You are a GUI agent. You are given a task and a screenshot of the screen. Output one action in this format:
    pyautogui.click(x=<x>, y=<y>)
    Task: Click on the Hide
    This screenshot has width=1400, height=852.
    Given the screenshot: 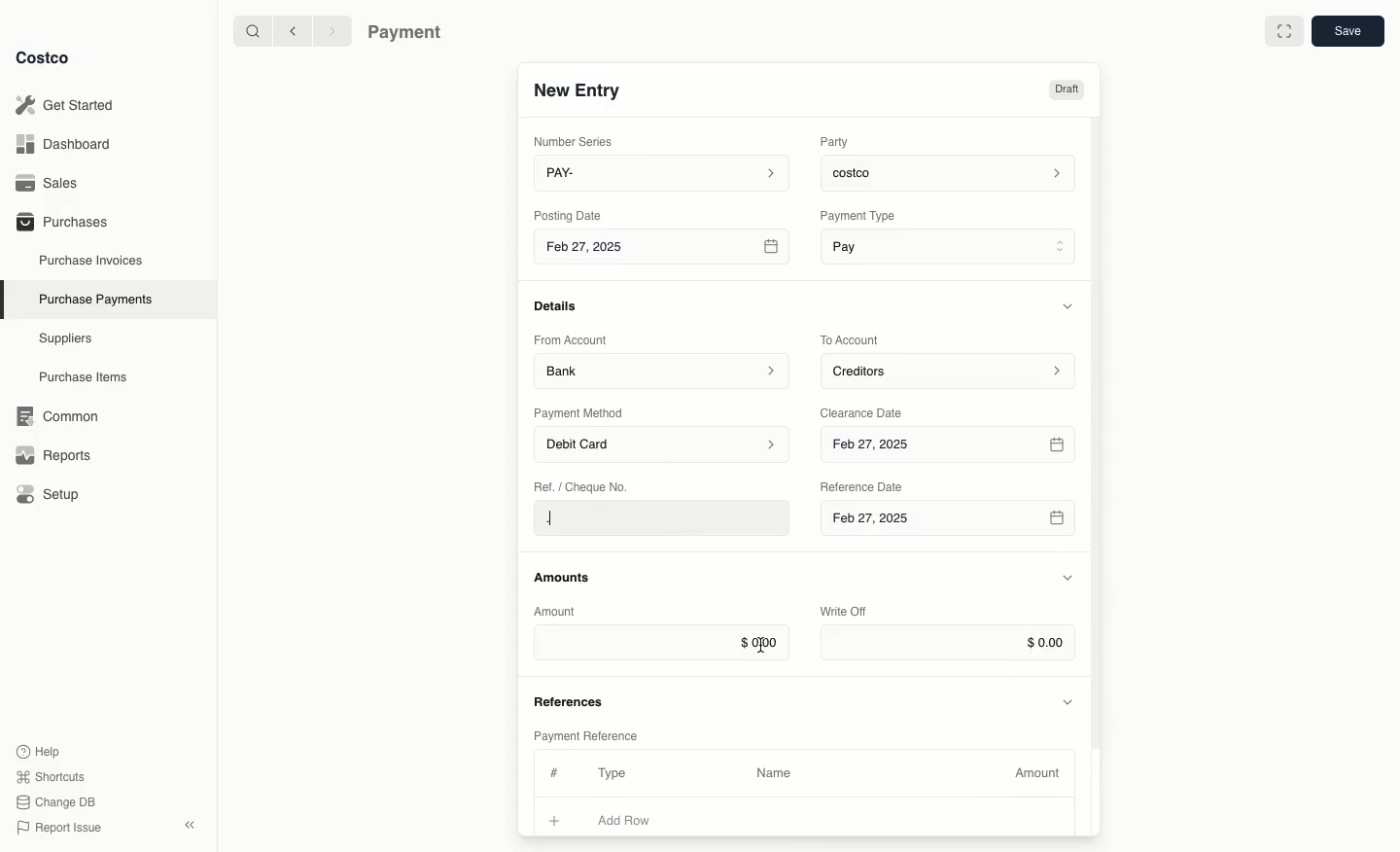 What is the action you would take?
    pyautogui.click(x=1069, y=700)
    